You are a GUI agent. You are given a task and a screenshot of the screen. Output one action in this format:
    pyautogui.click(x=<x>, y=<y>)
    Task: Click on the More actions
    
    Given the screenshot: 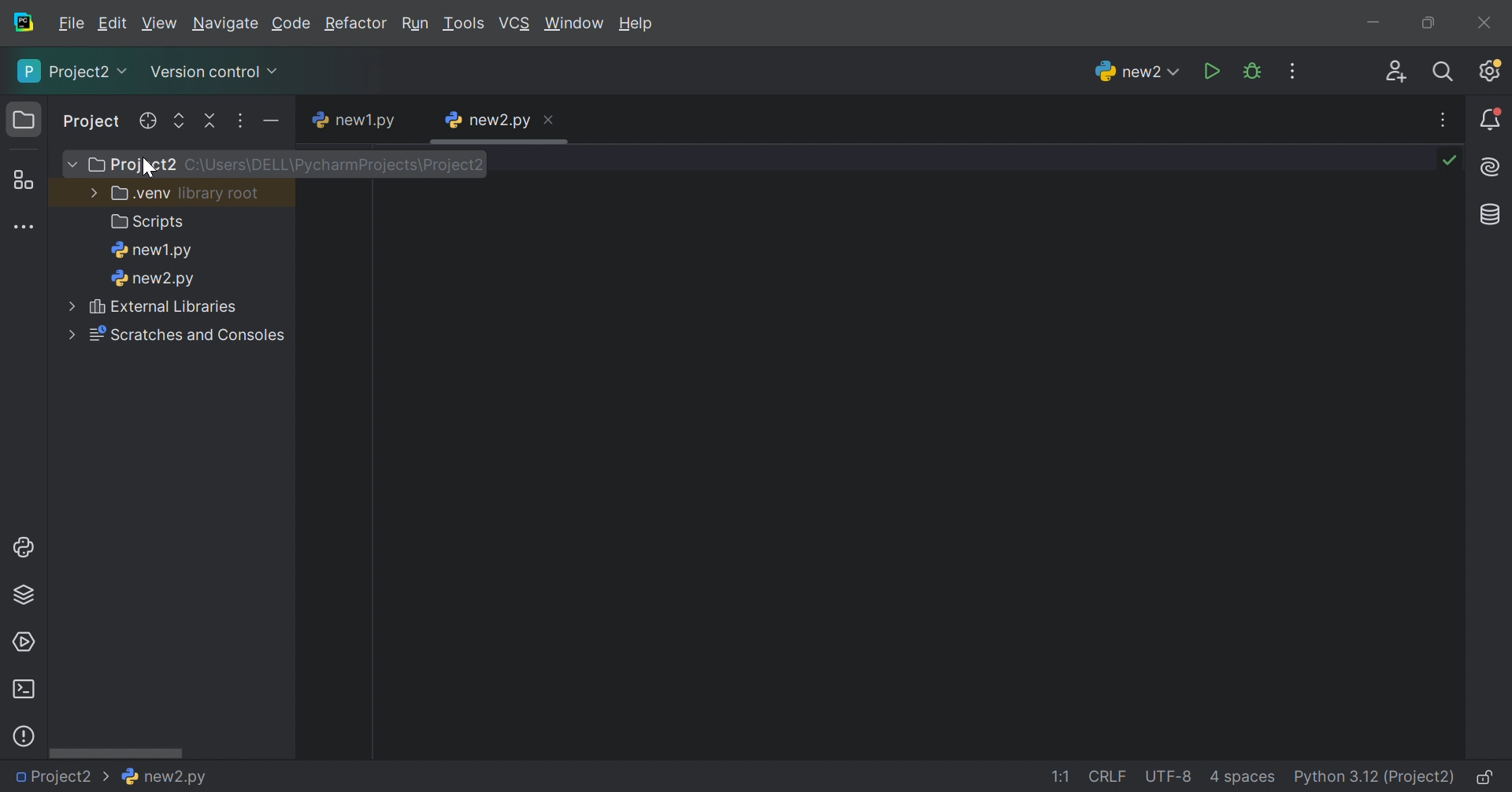 What is the action you would take?
    pyautogui.click(x=1446, y=120)
    